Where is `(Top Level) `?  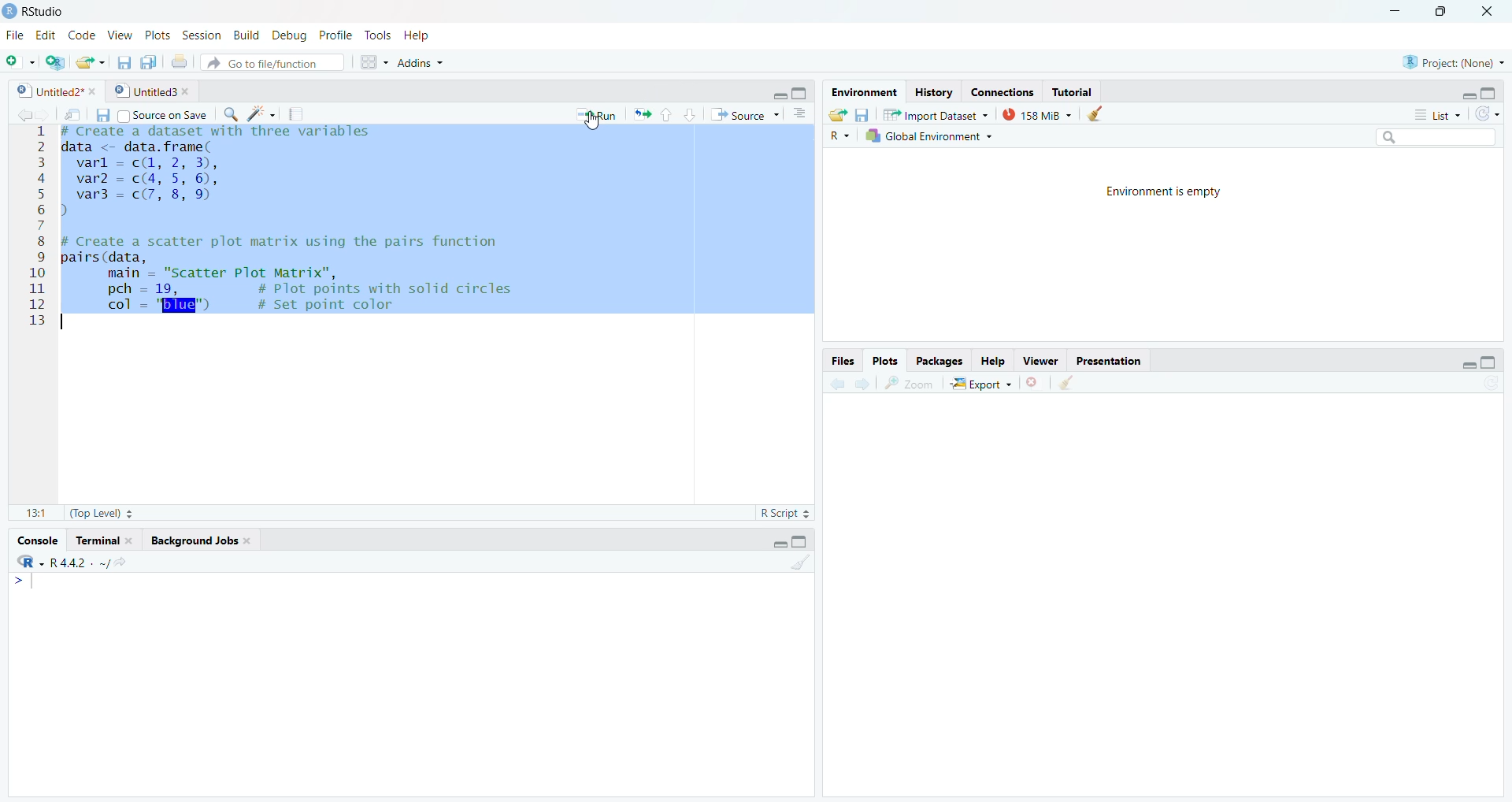
(Top Level)  is located at coordinates (102, 514).